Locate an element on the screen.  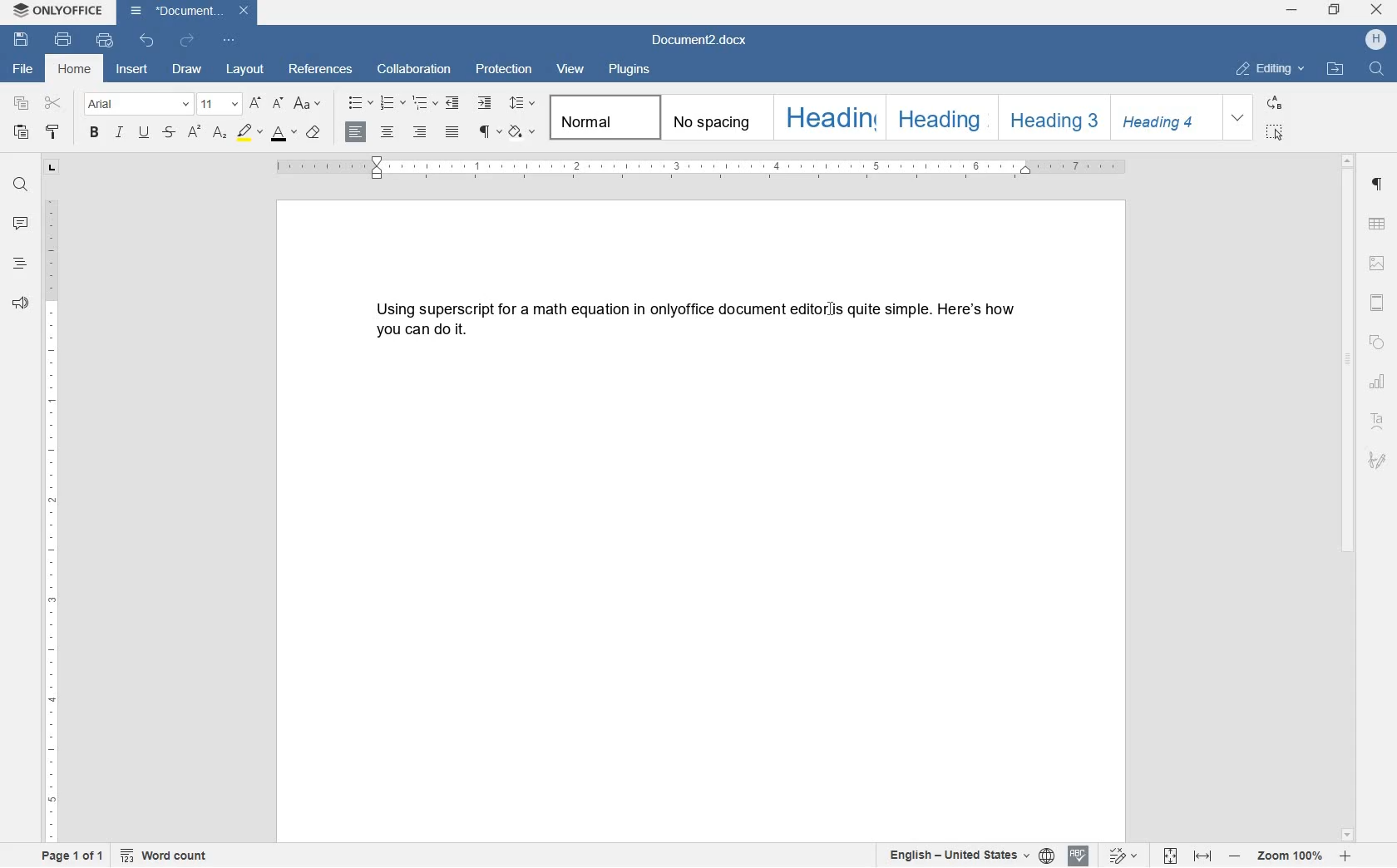
draw is located at coordinates (192, 69).